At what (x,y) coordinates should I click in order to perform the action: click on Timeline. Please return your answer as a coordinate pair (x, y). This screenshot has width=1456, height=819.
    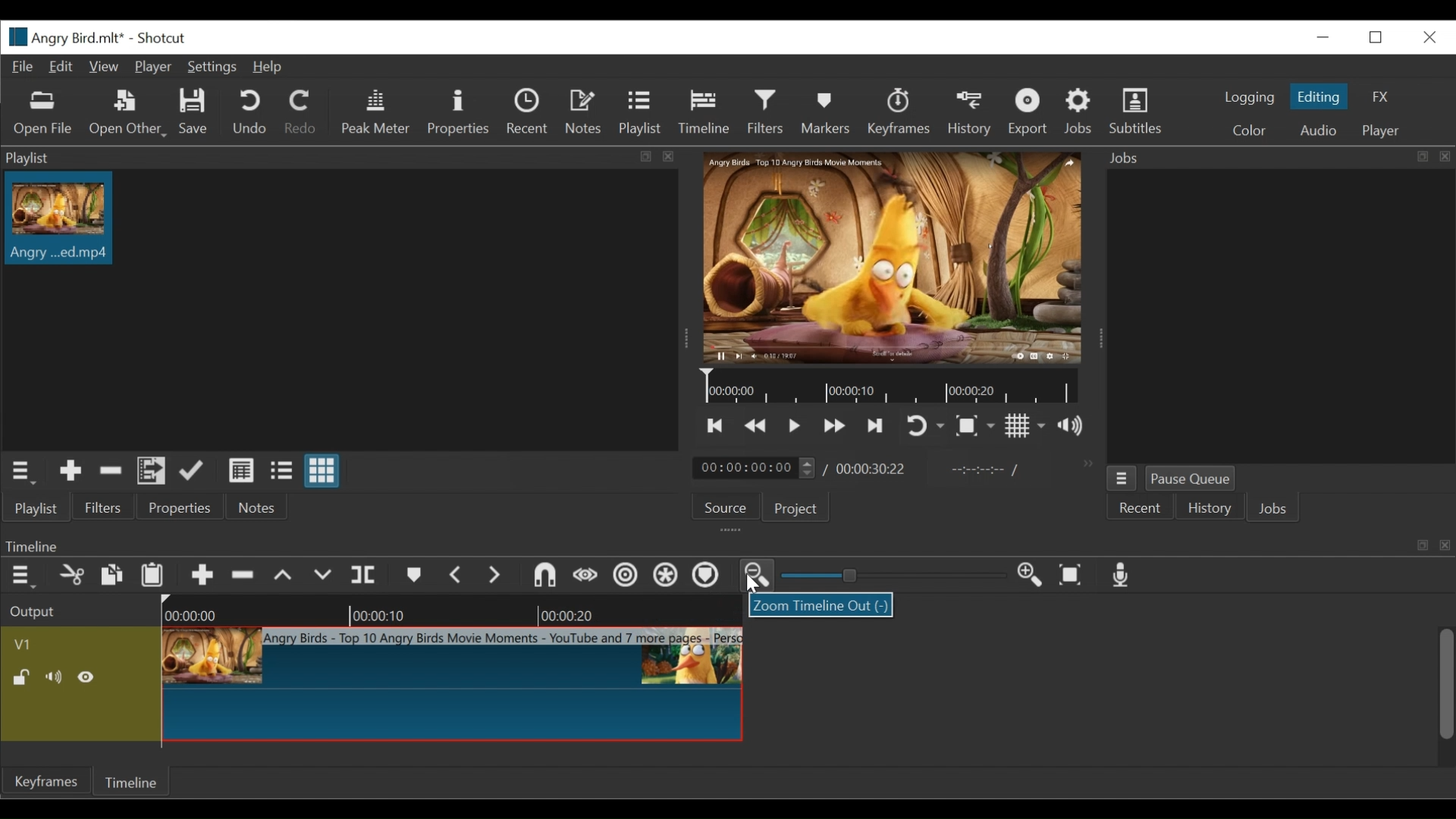
    Looking at the image, I should click on (890, 384).